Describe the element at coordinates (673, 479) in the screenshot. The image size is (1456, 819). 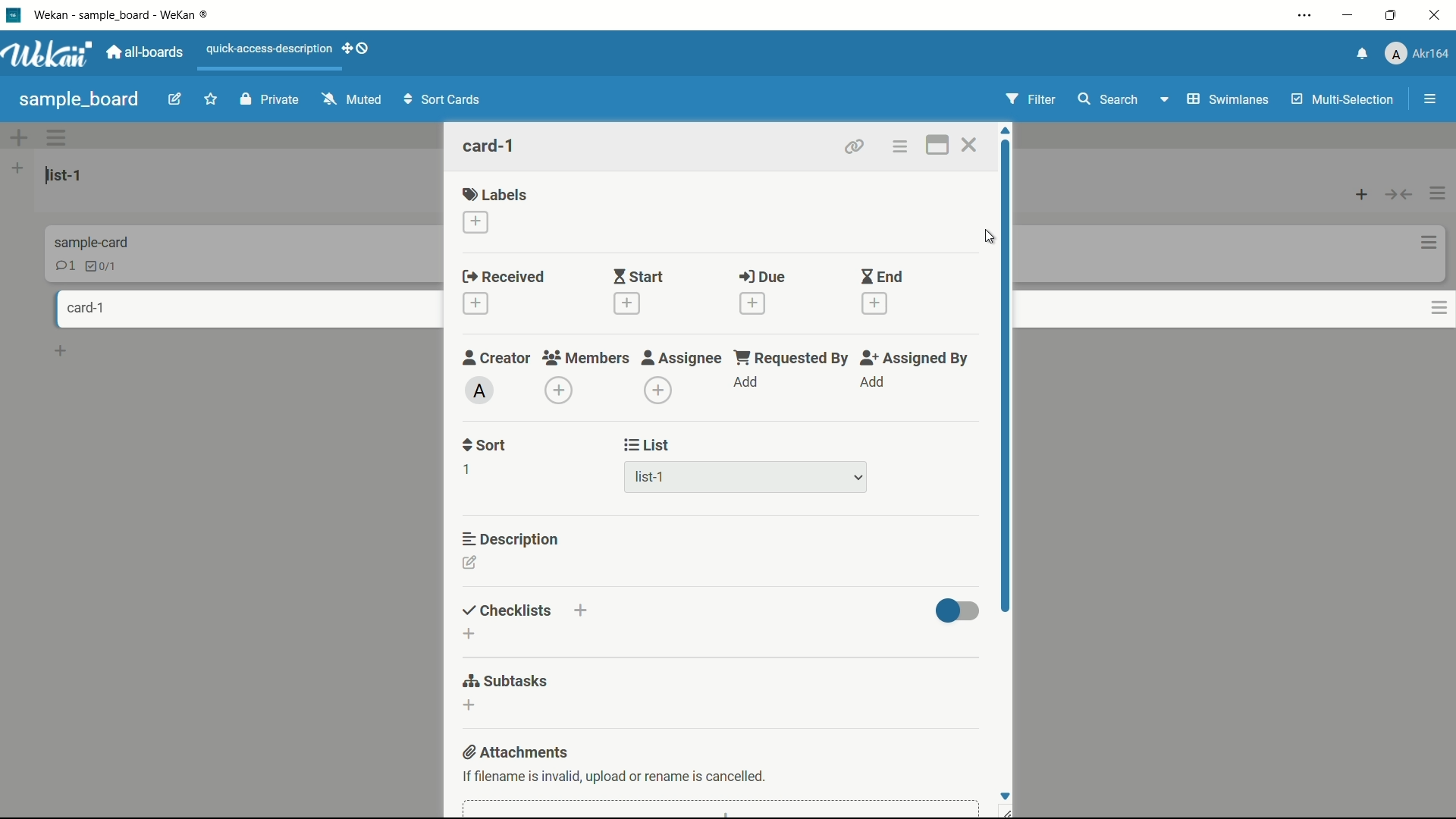
I see `list-1` at that location.